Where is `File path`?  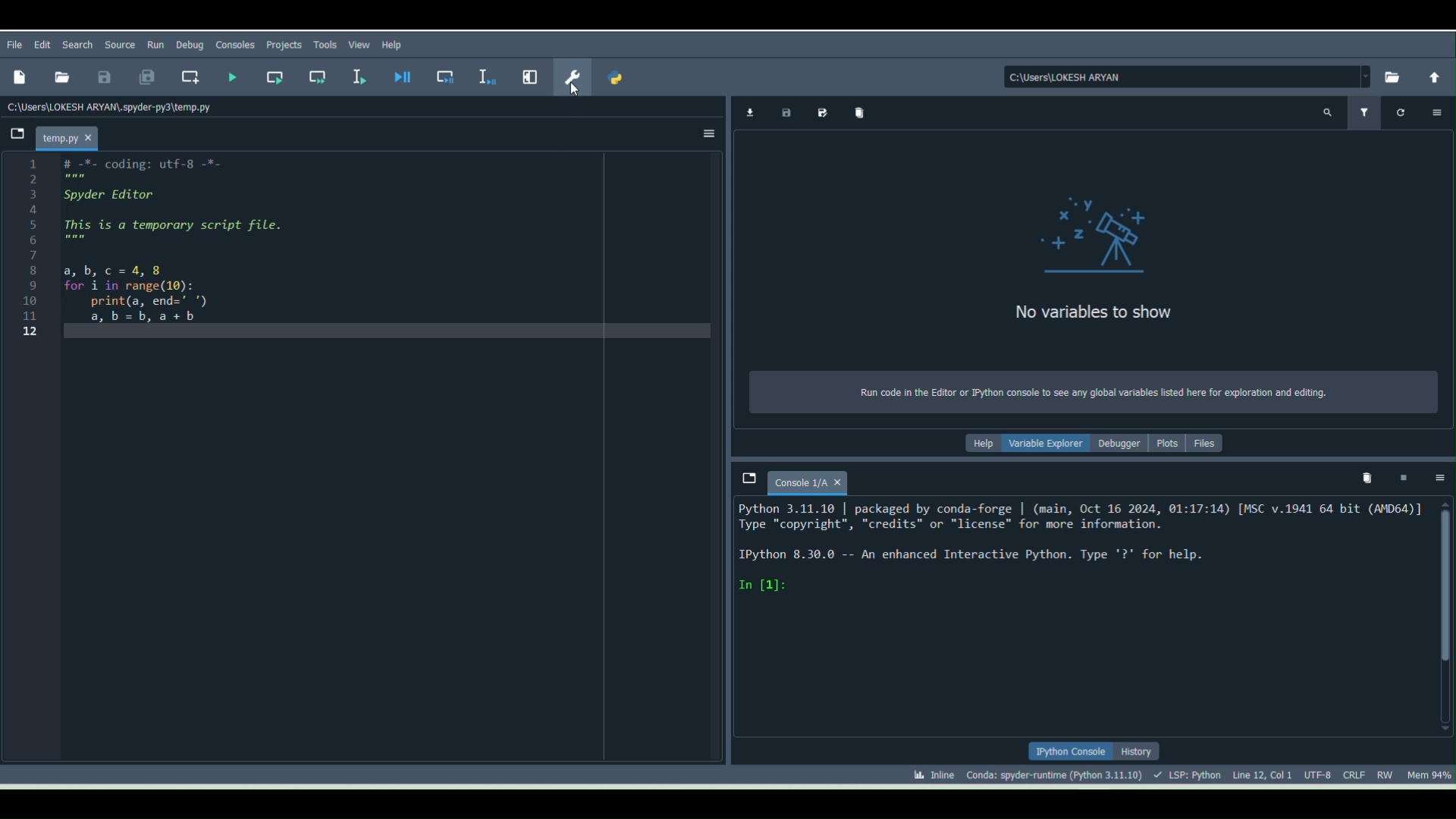 File path is located at coordinates (114, 106).